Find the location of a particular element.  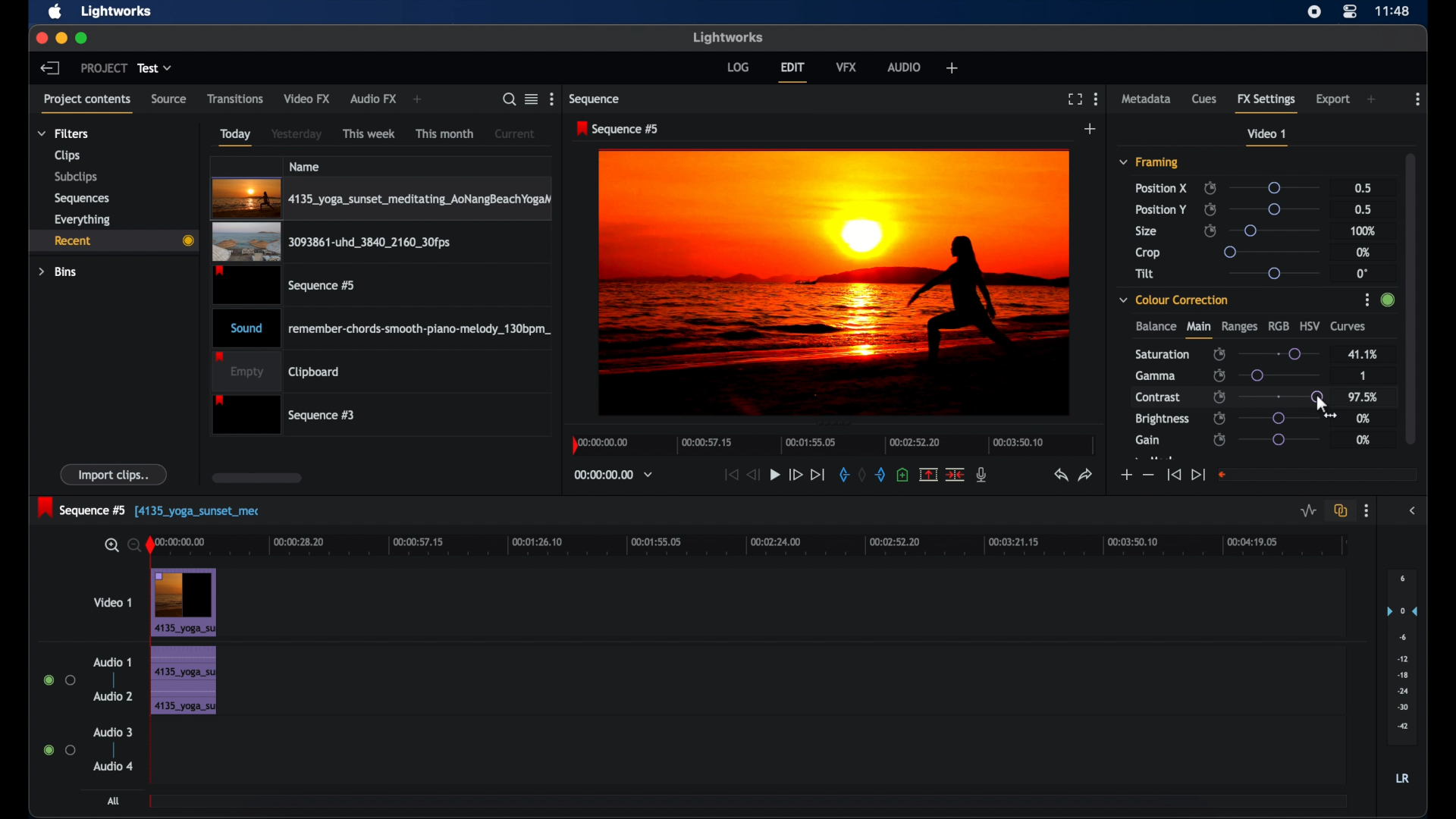

slider is located at coordinates (1274, 230).